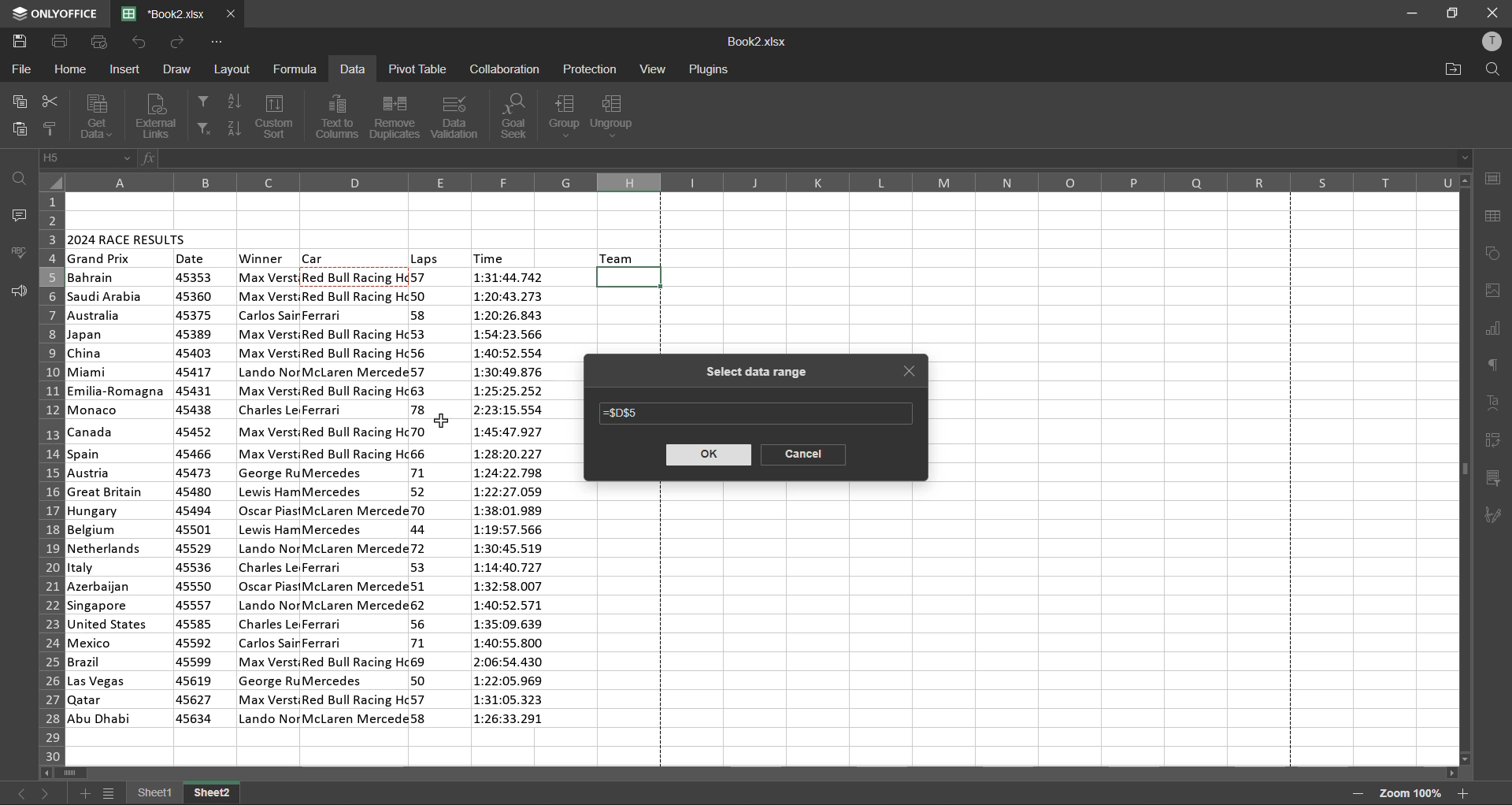  I want to click on selected cell, so click(632, 277).